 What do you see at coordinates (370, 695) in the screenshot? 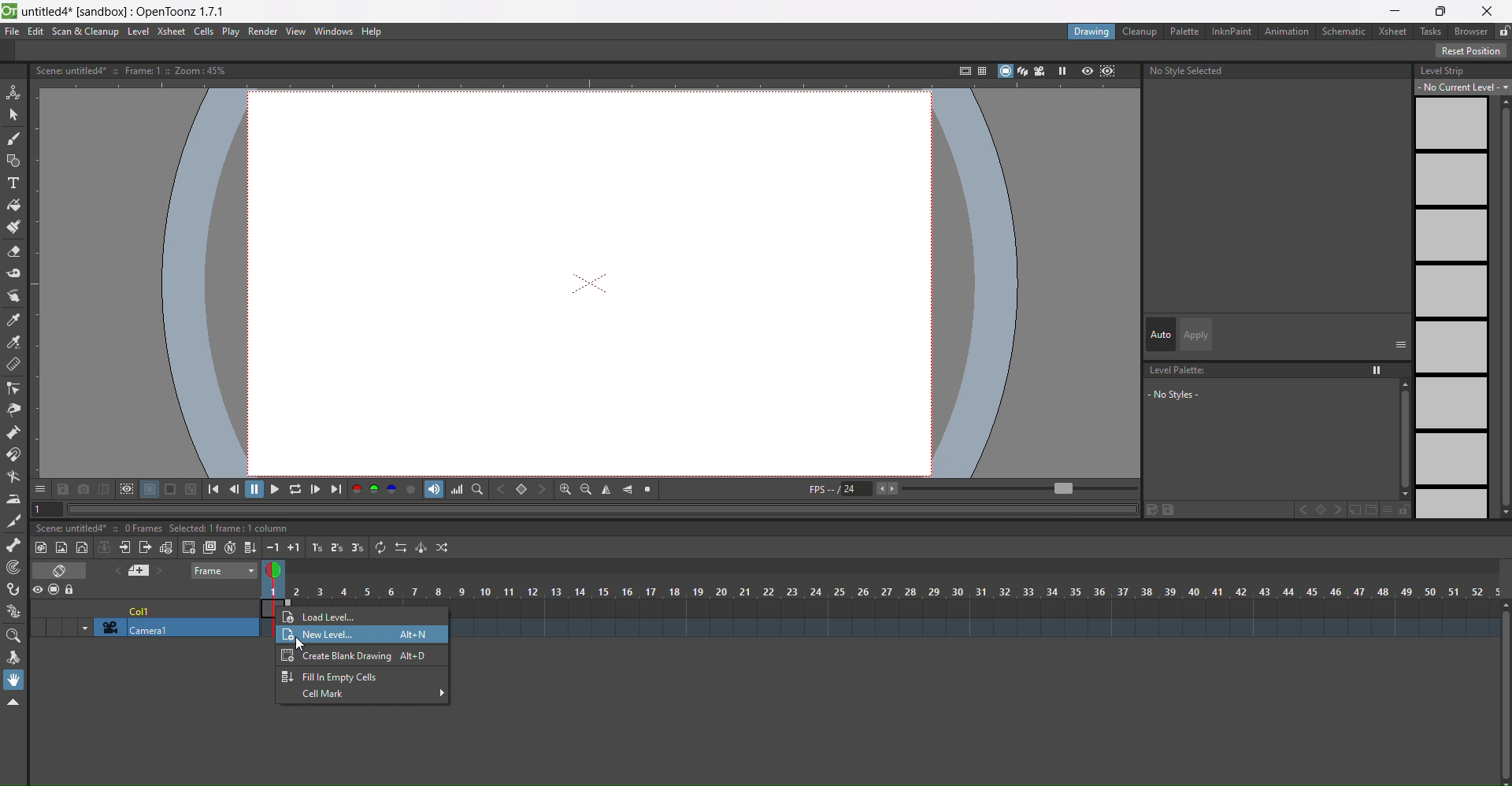
I see `cell mark` at bounding box center [370, 695].